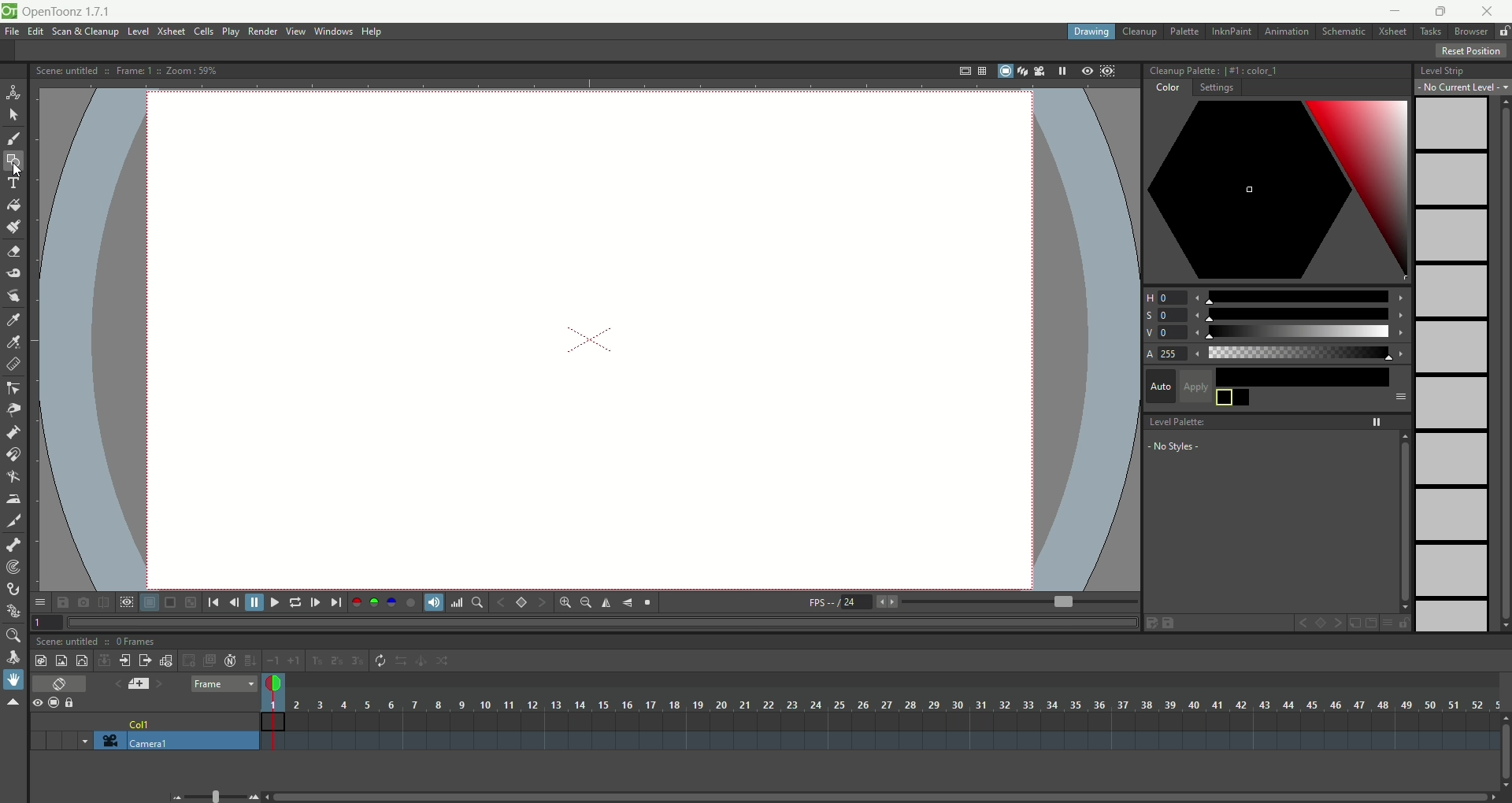 The image size is (1512, 803). I want to click on new vector level, so click(82, 661).